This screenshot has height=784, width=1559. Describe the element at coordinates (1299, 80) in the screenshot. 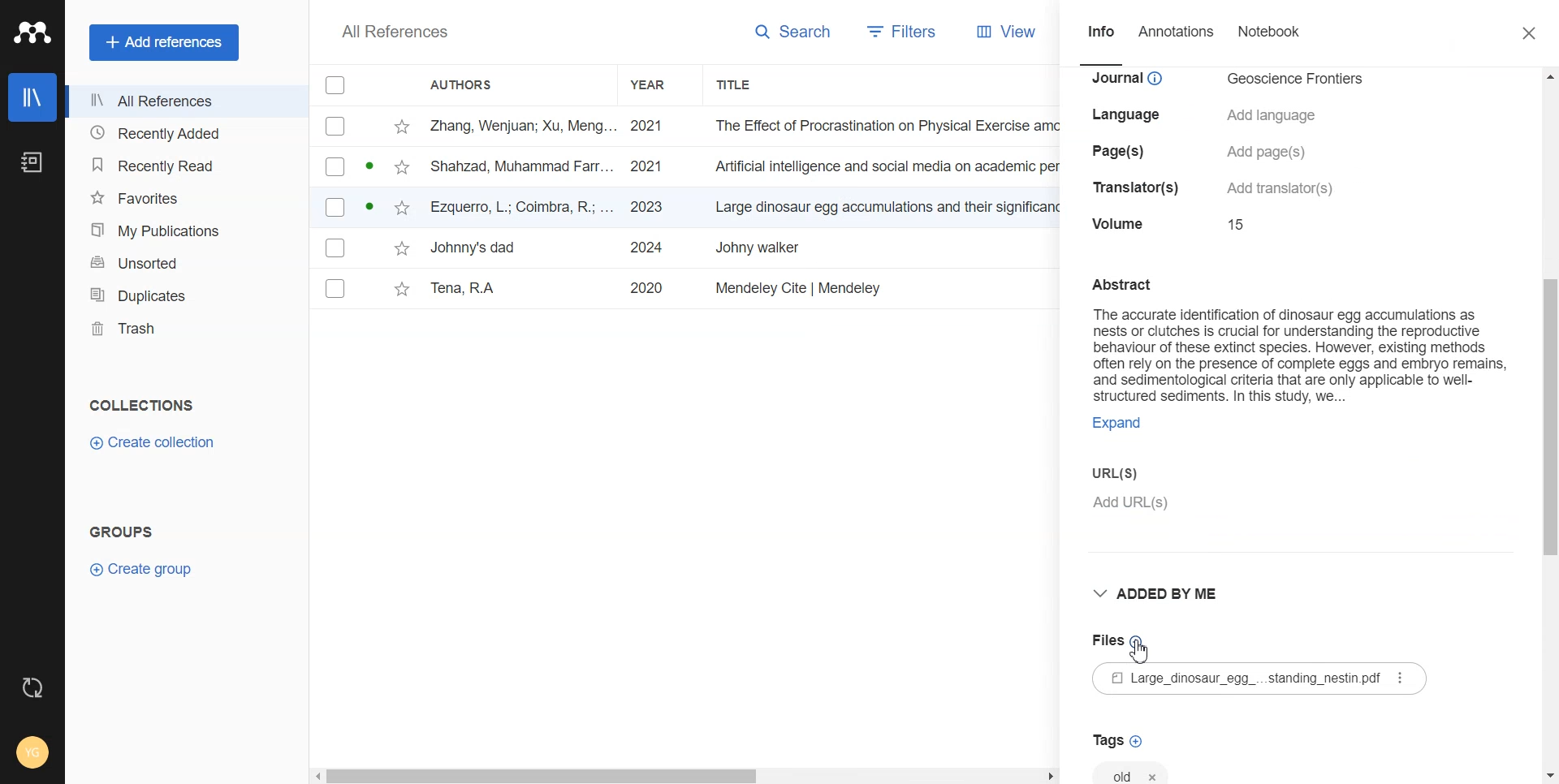

I see `details` at that location.